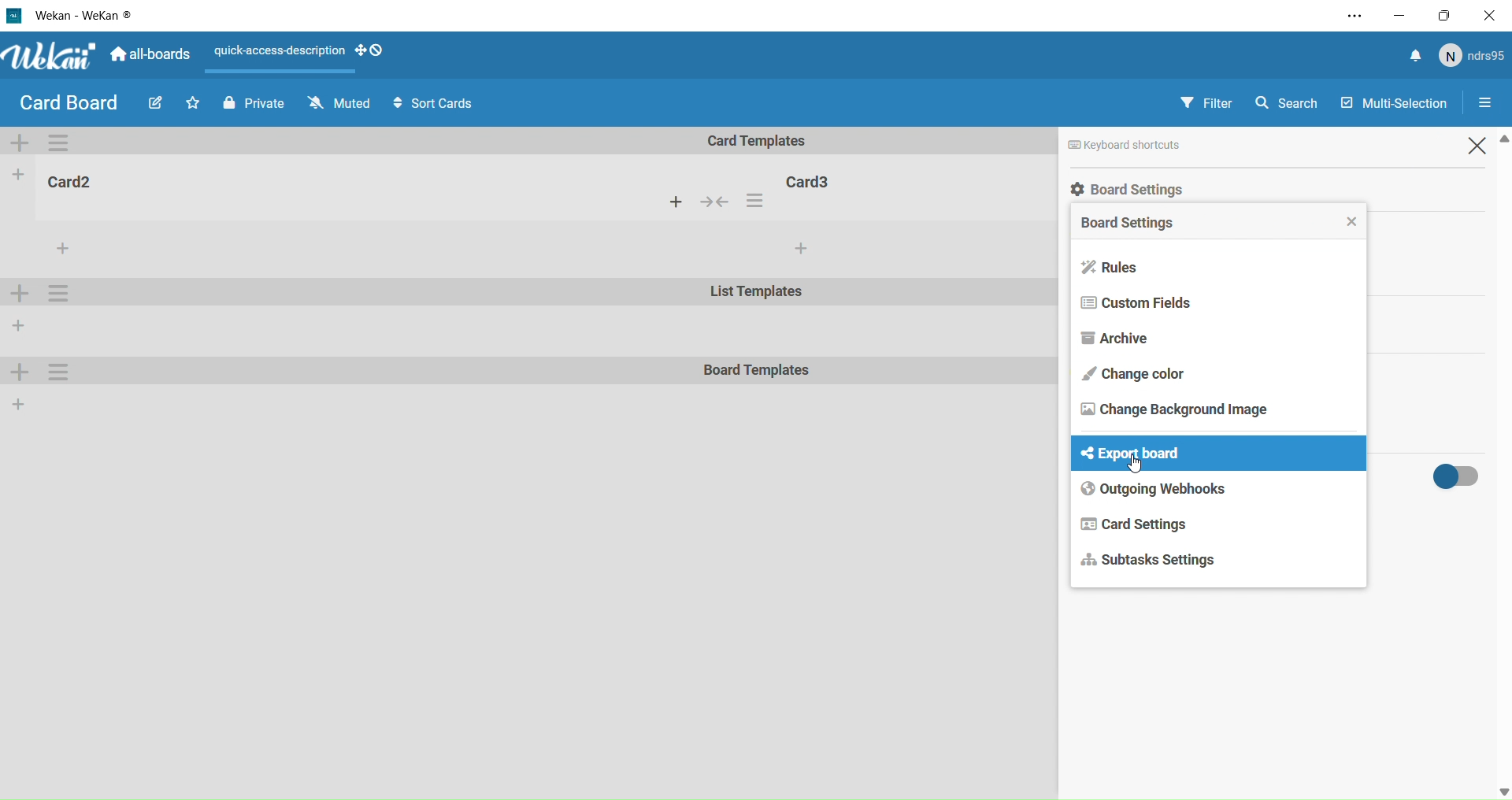 The height and width of the screenshot is (800, 1512). I want to click on Custom fields, so click(1154, 304).